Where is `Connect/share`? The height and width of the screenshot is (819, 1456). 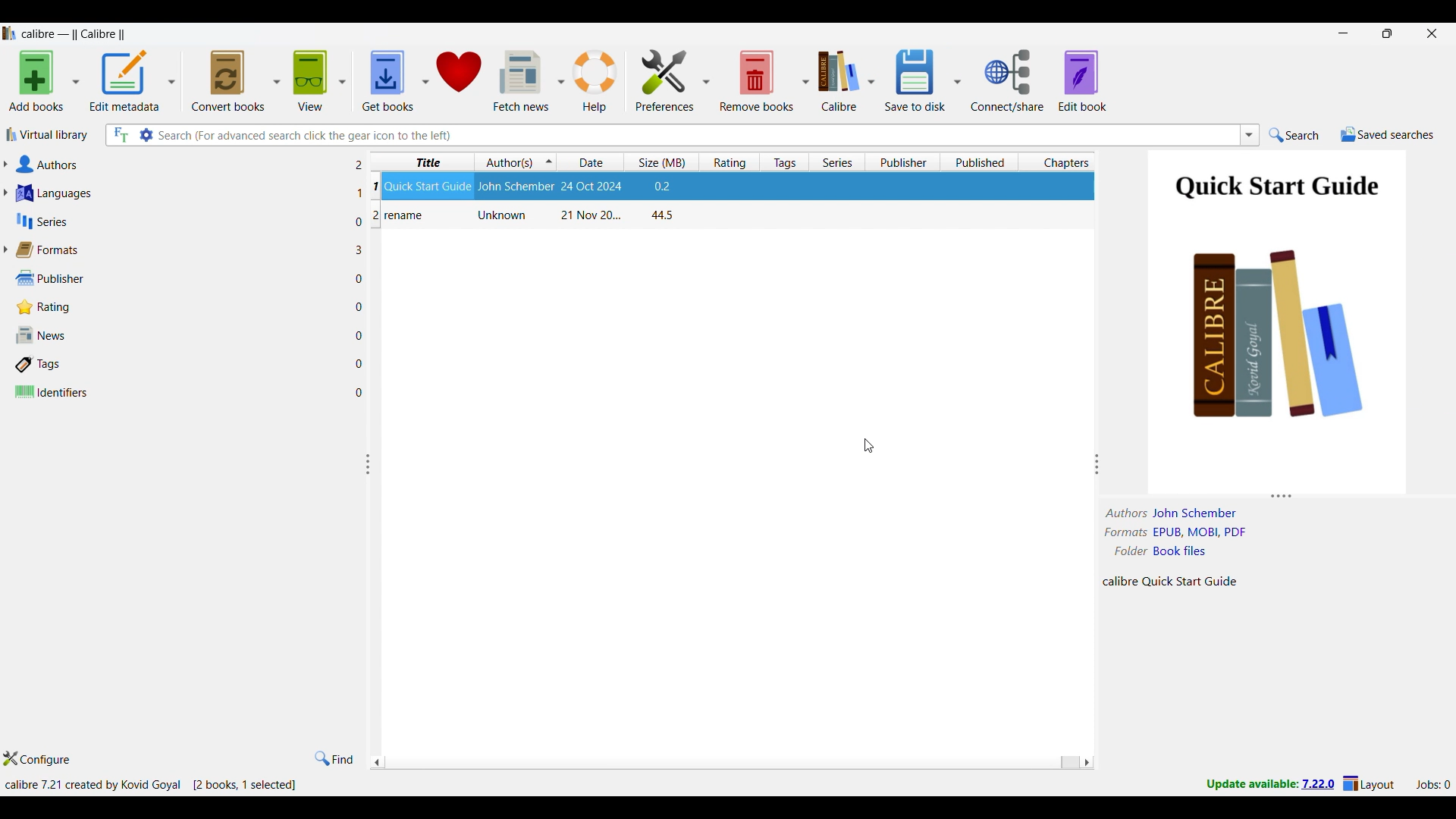 Connect/share is located at coordinates (1007, 80).